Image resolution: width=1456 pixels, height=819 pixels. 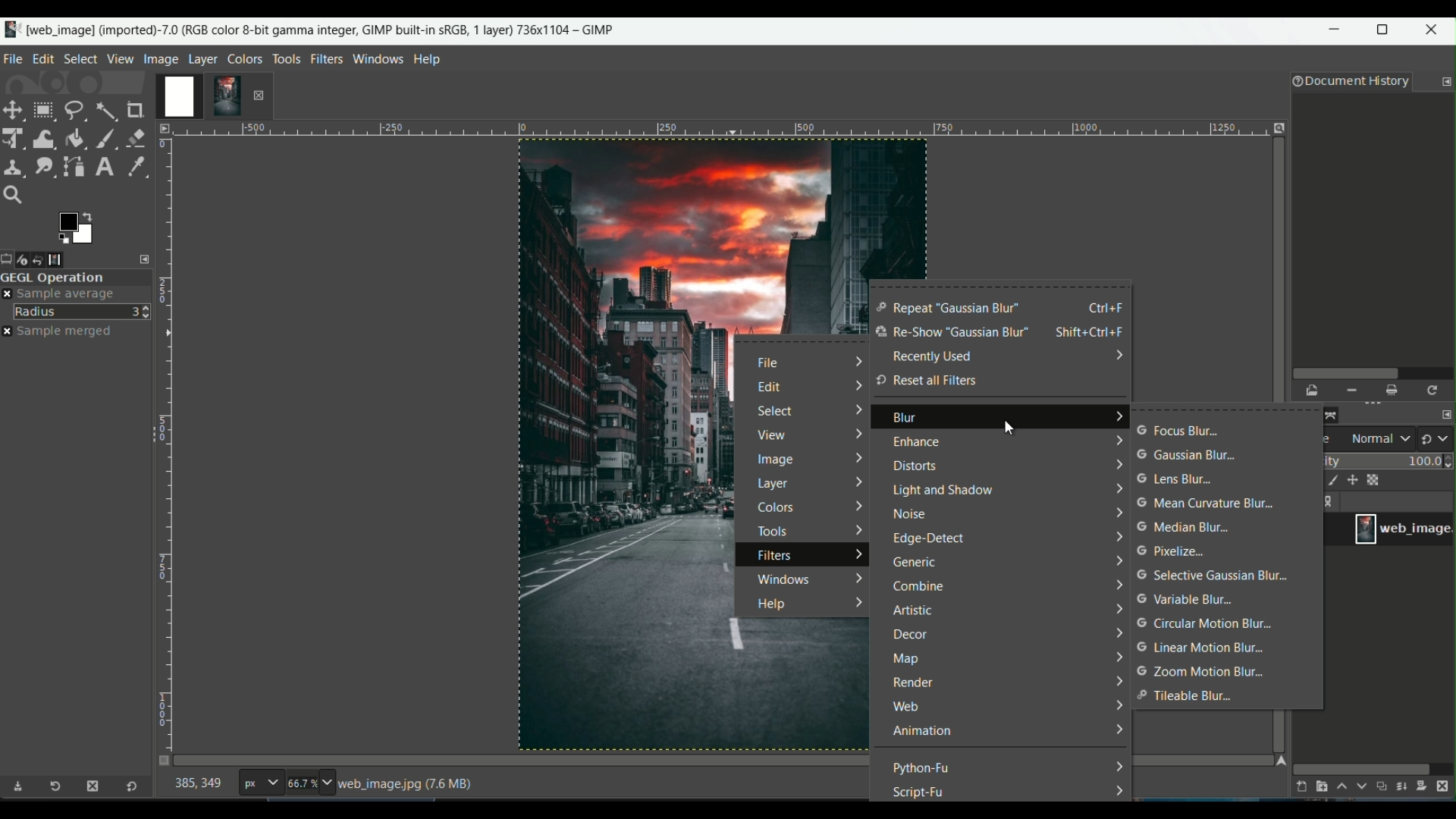 What do you see at coordinates (768, 605) in the screenshot?
I see `help` at bounding box center [768, 605].